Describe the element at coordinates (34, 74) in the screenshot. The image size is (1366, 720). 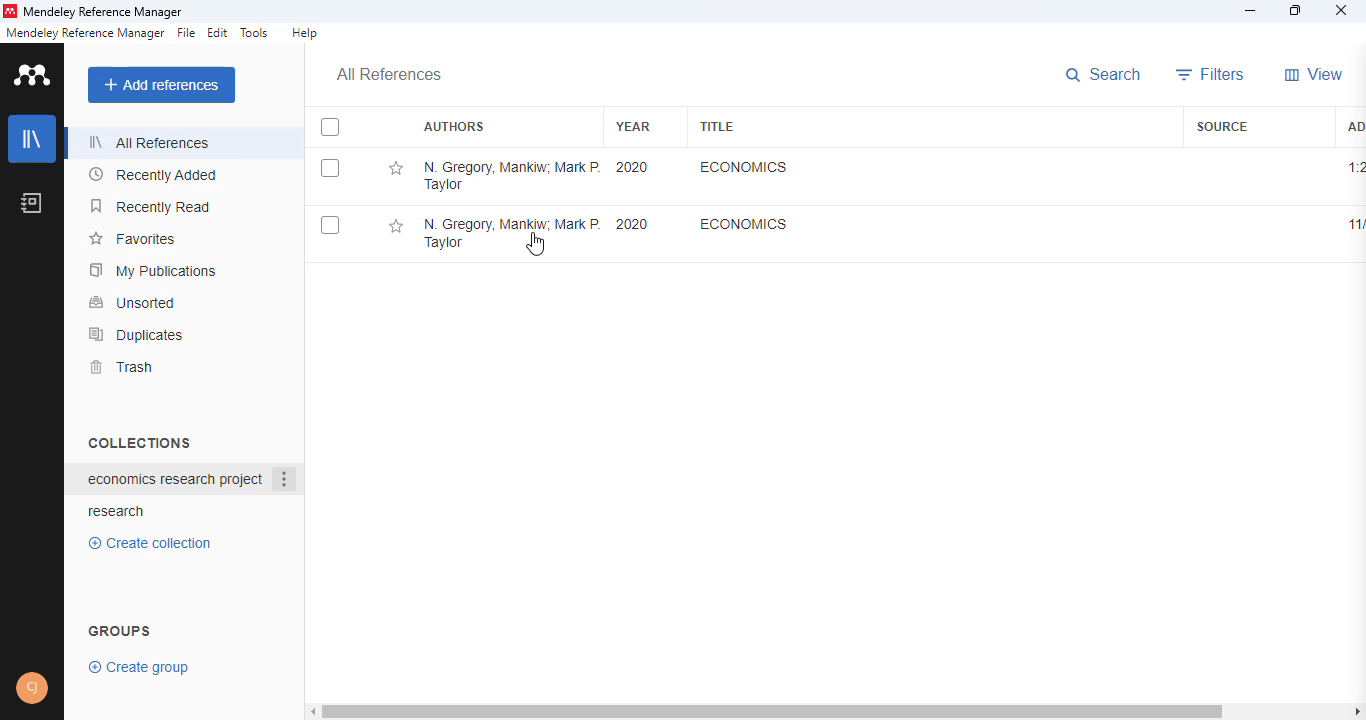
I see `logo` at that location.